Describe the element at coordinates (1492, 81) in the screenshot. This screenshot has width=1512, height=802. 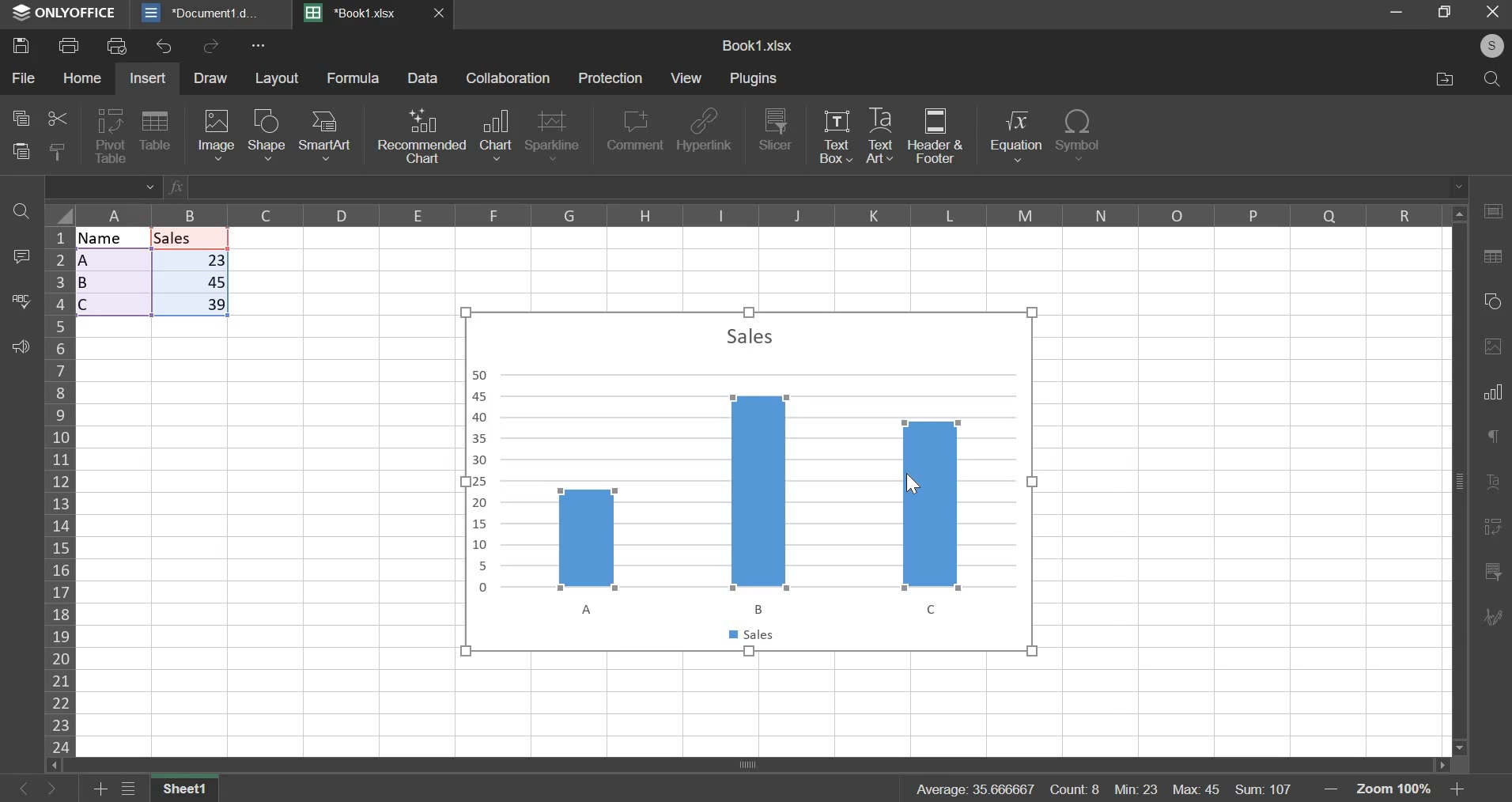
I see `search` at that location.